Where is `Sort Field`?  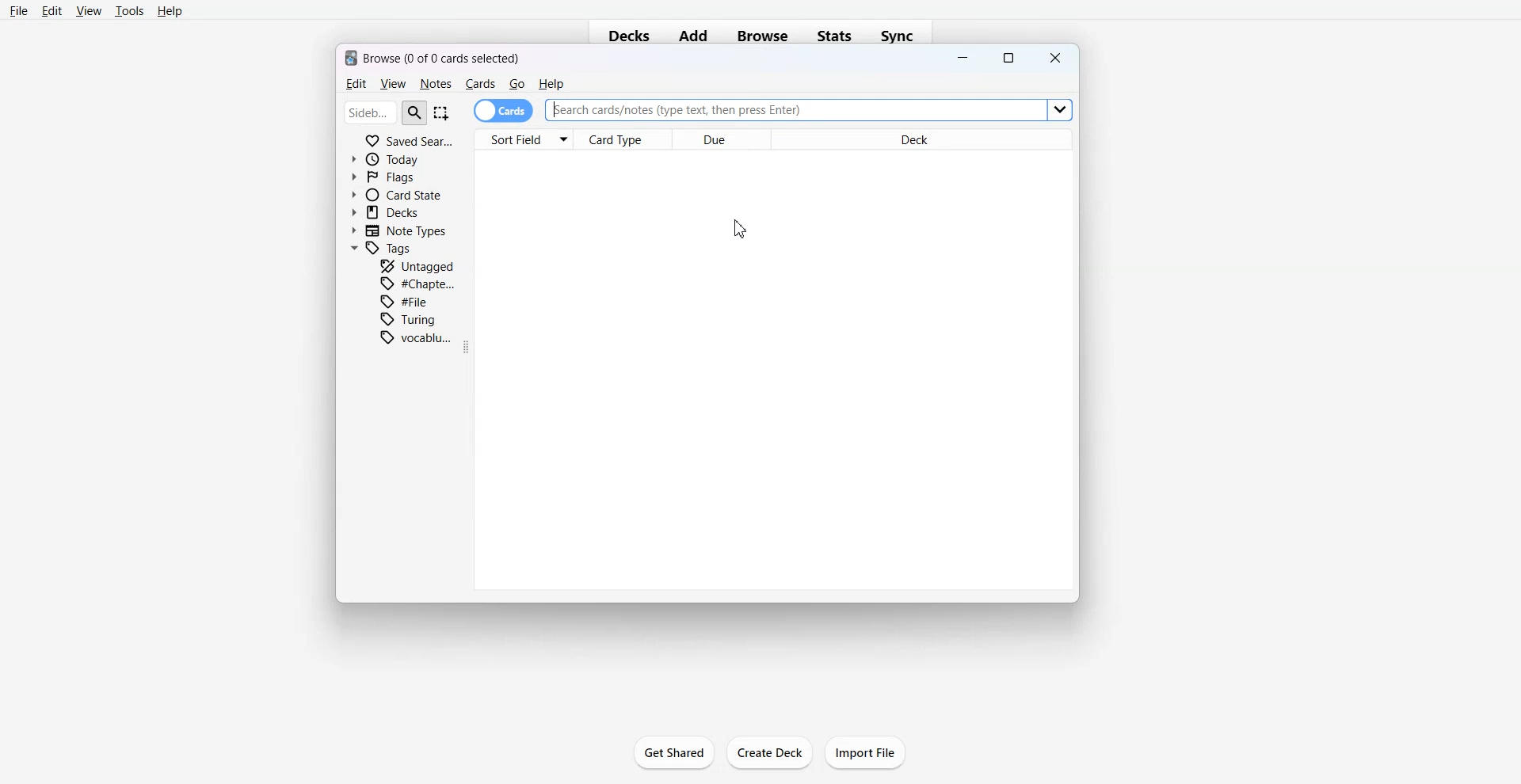 Sort Field is located at coordinates (523, 139).